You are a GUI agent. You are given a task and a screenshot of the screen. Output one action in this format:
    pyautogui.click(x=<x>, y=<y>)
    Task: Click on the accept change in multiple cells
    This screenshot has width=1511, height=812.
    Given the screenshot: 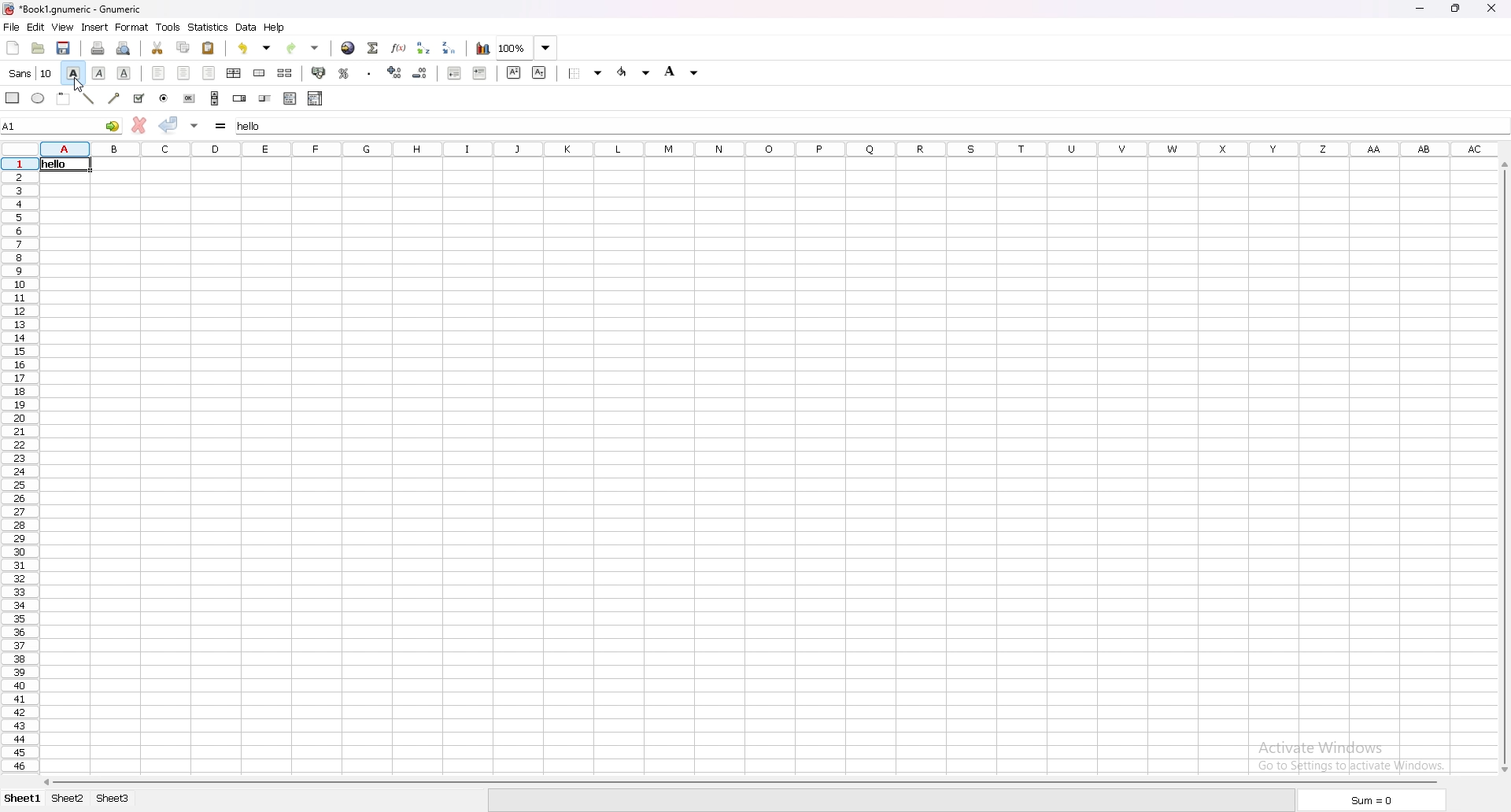 What is the action you would take?
    pyautogui.click(x=194, y=125)
    